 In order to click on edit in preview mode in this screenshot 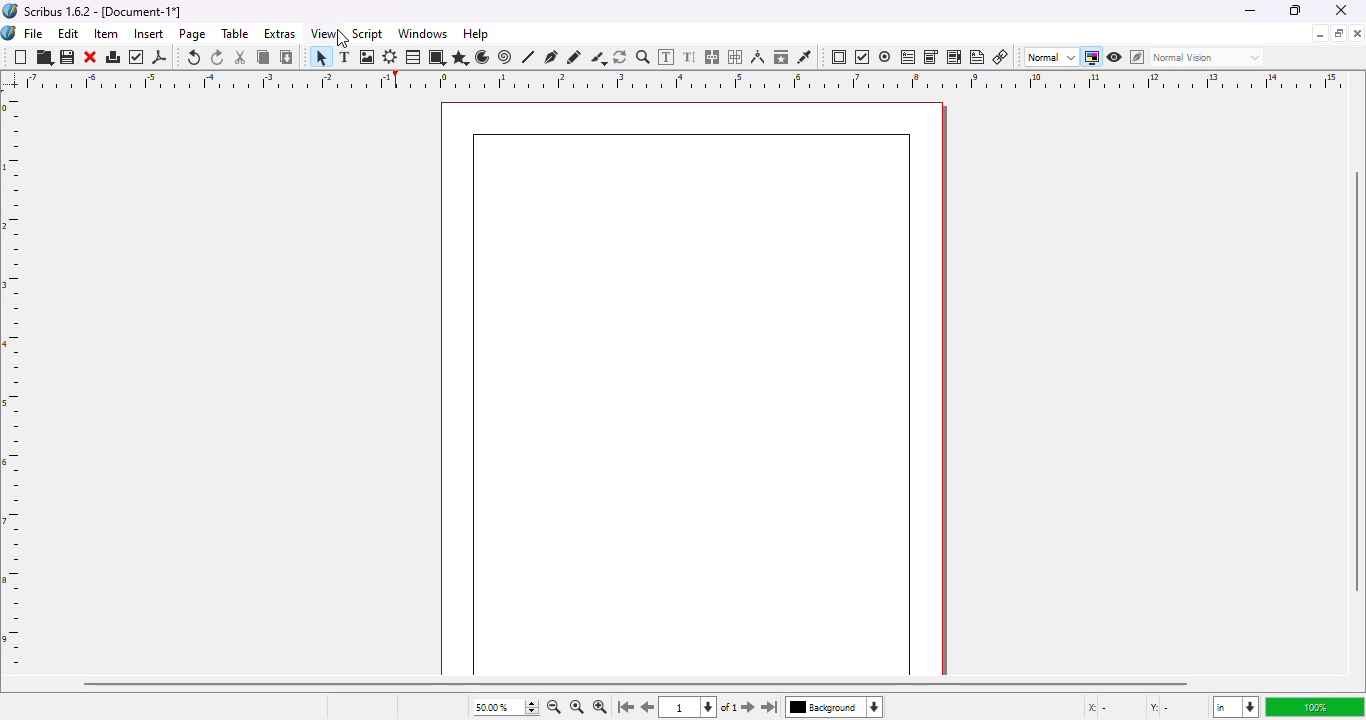, I will do `click(1137, 57)`.